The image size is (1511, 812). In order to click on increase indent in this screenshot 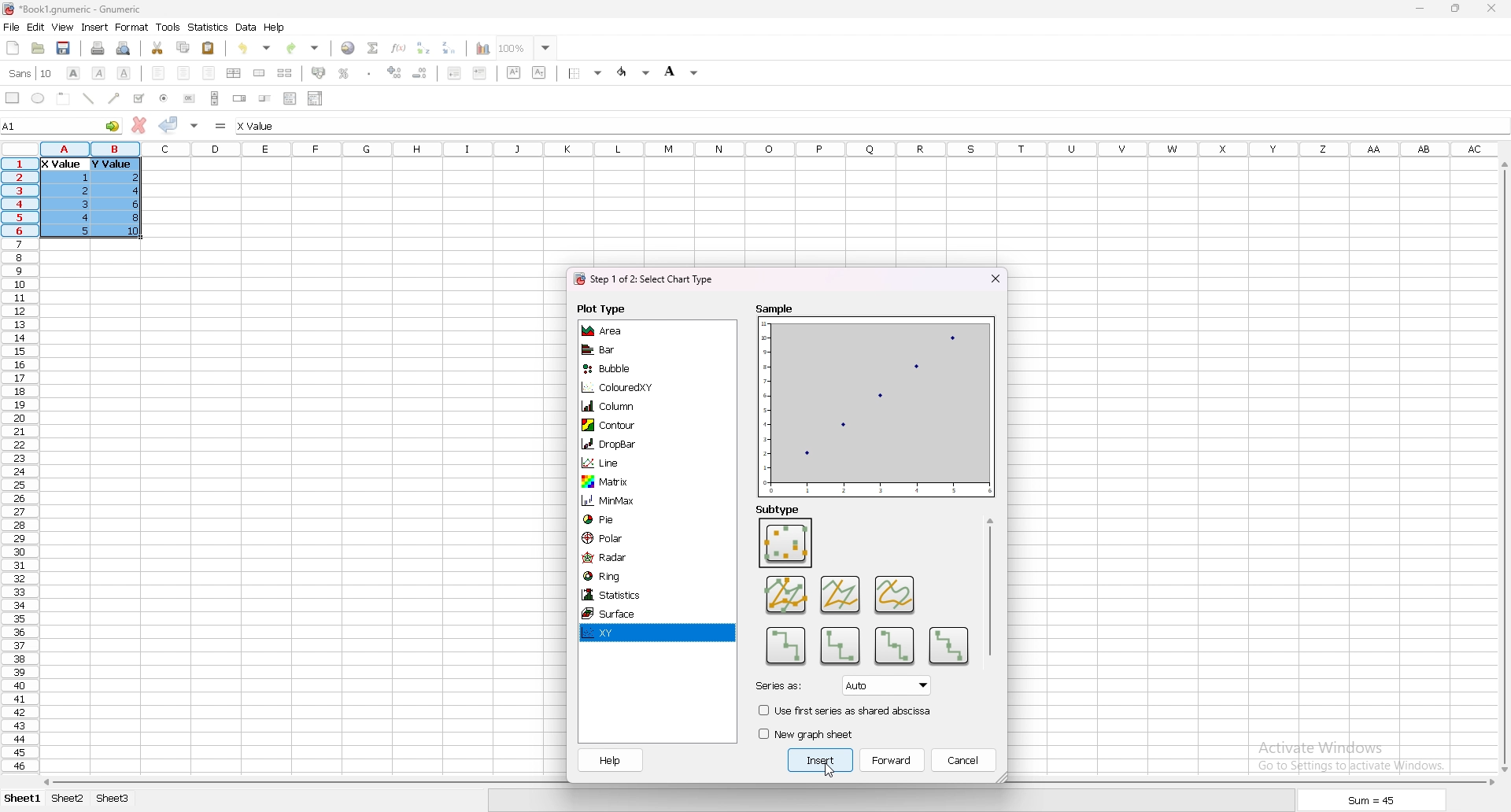, I will do `click(480, 72)`.